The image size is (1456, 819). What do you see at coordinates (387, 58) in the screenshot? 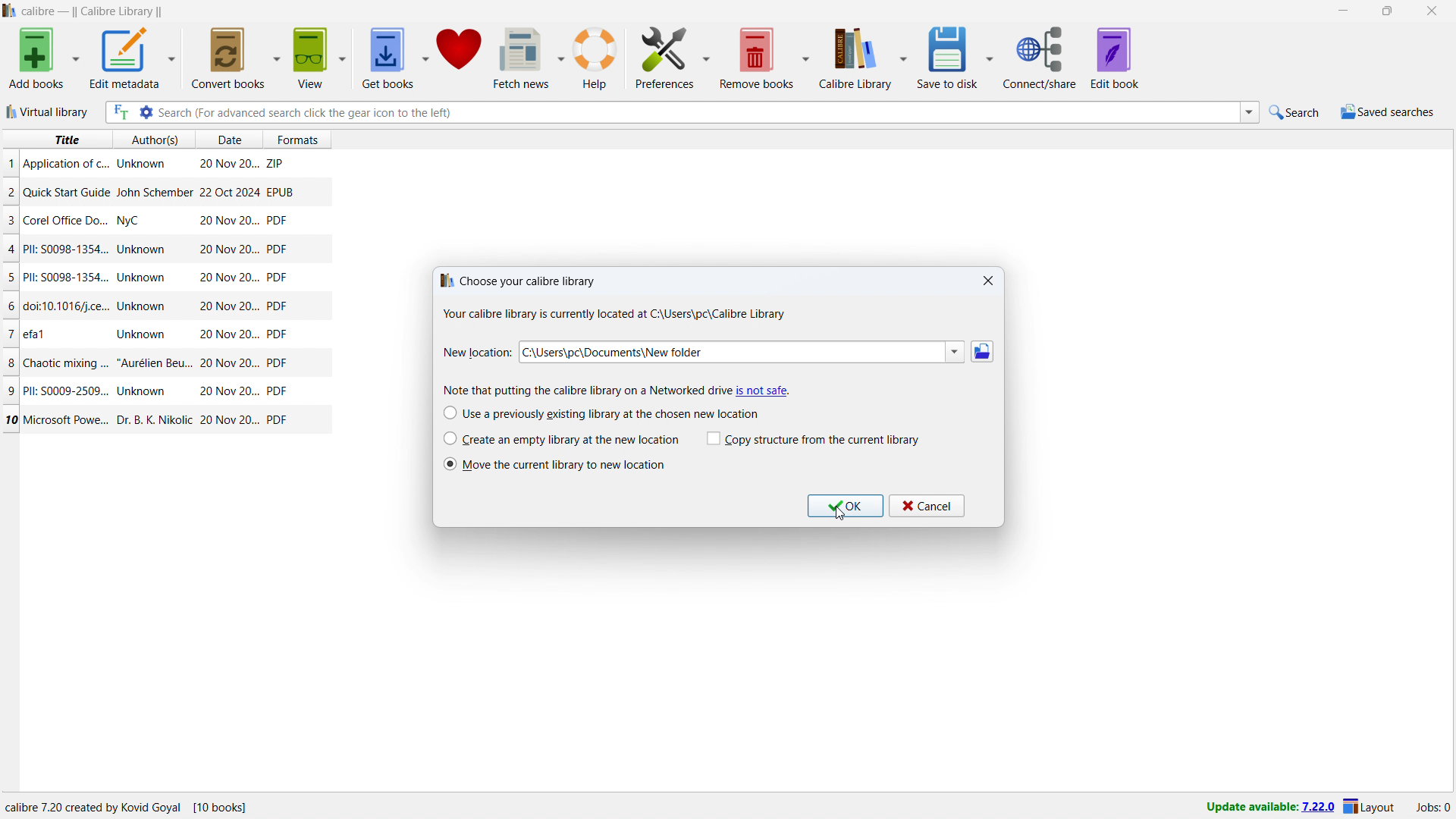
I see `get books` at bounding box center [387, 58].